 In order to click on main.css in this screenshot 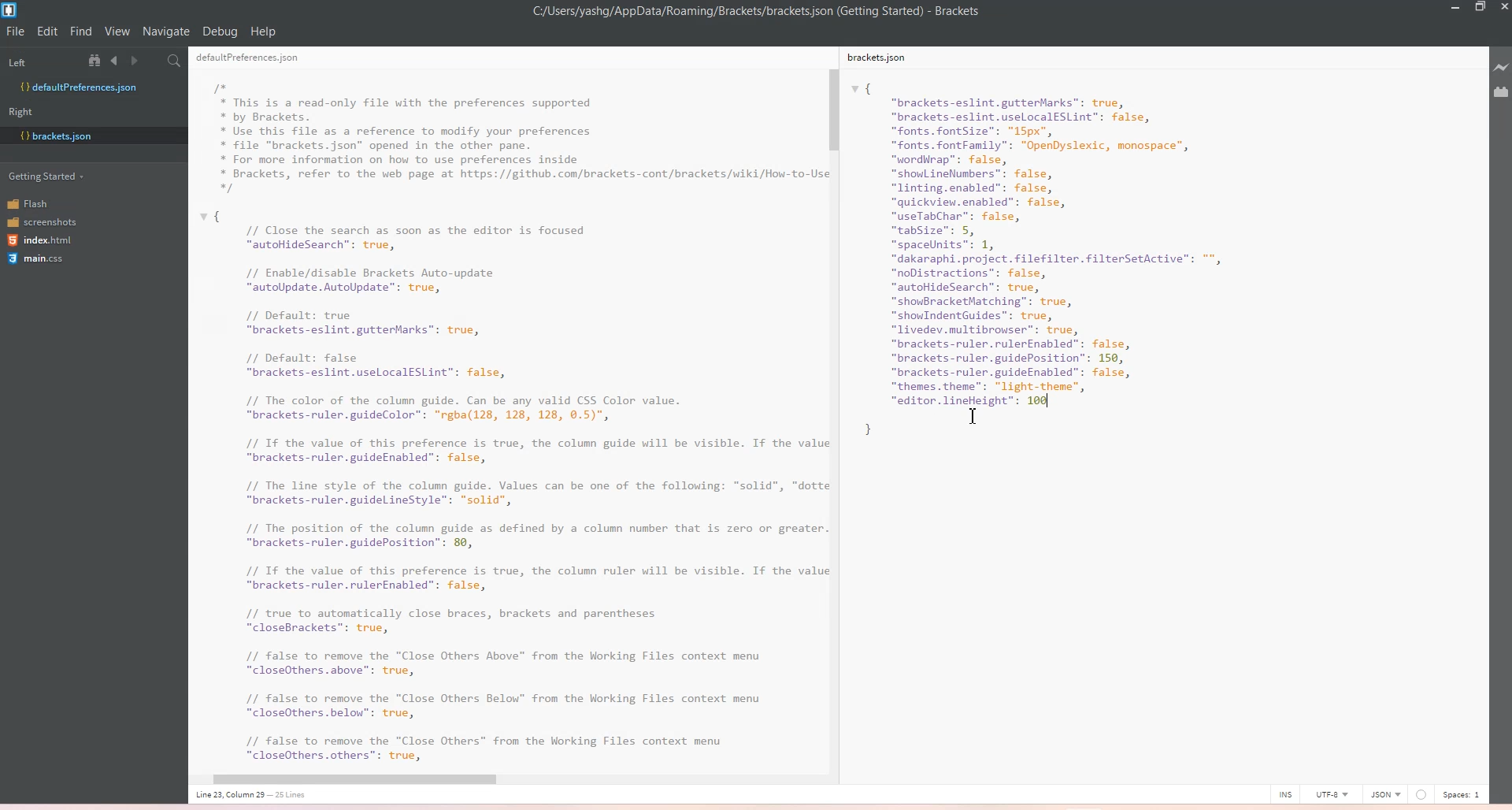, I will do `click(39, 261)`.